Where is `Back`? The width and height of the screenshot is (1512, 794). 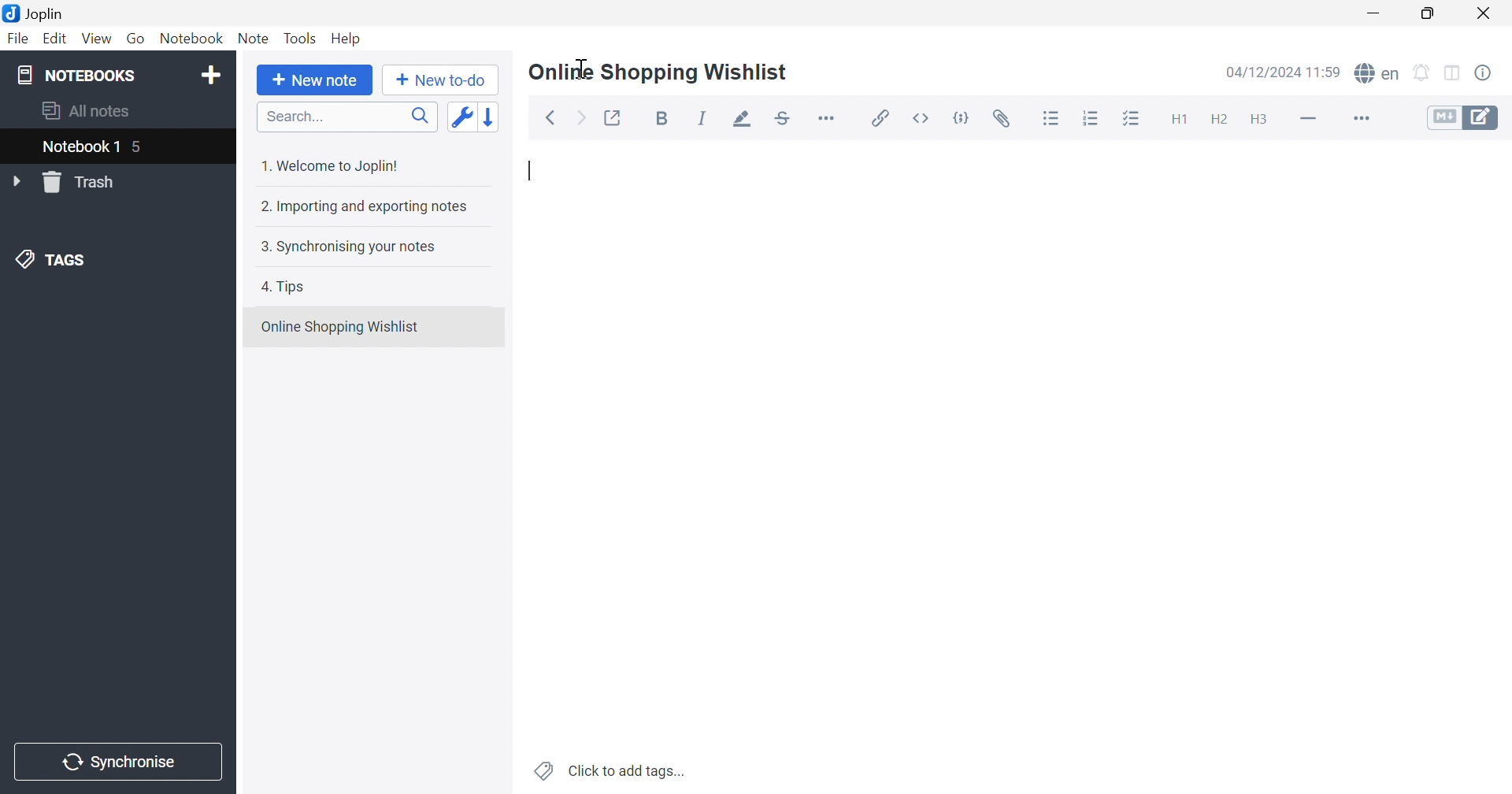
Back is located at coordinates (552, 117).